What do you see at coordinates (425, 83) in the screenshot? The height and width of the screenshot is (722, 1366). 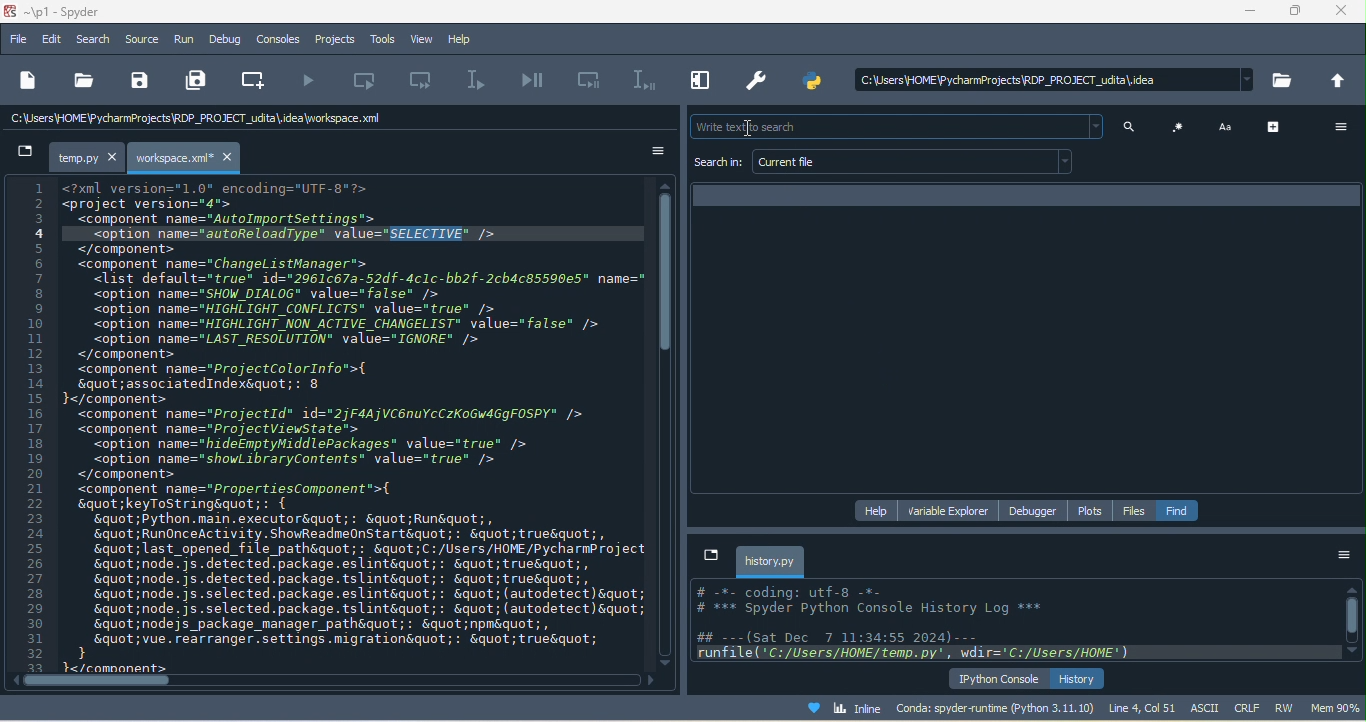 I see `run current cell and go to the next one` at bounding box center [425, 83].